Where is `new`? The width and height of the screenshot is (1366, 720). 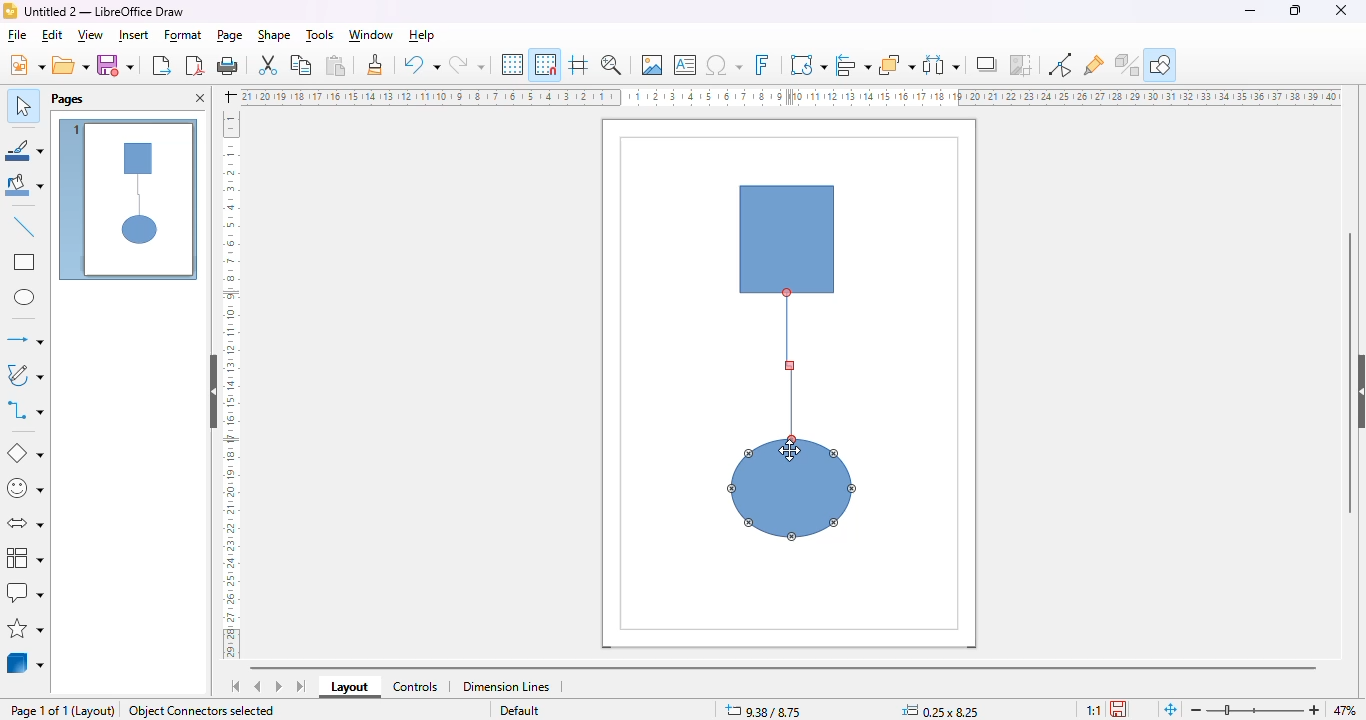 new is located at coordinates (27, 64).